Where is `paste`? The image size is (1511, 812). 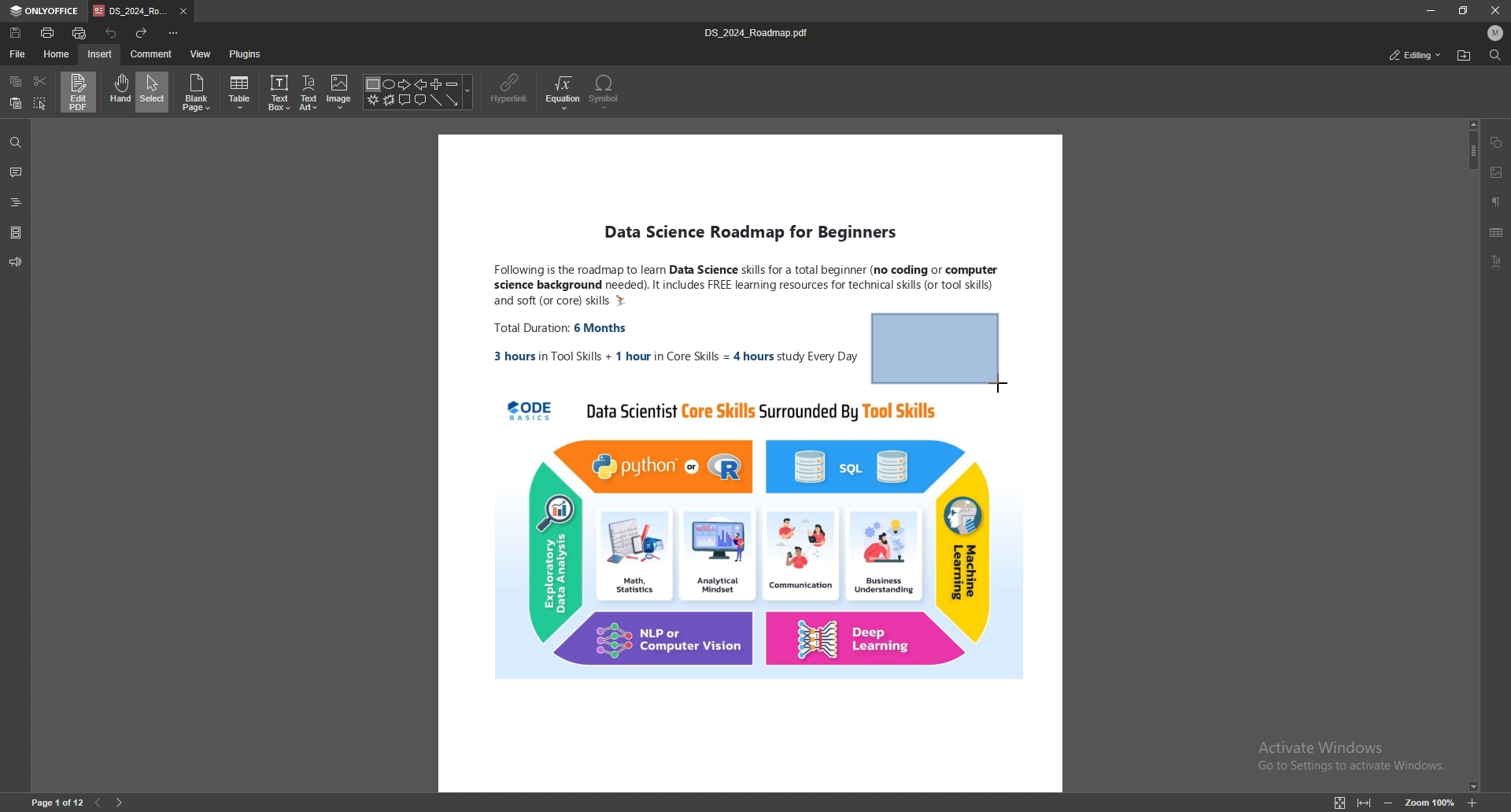
paste is located at coordinates (16, 104).